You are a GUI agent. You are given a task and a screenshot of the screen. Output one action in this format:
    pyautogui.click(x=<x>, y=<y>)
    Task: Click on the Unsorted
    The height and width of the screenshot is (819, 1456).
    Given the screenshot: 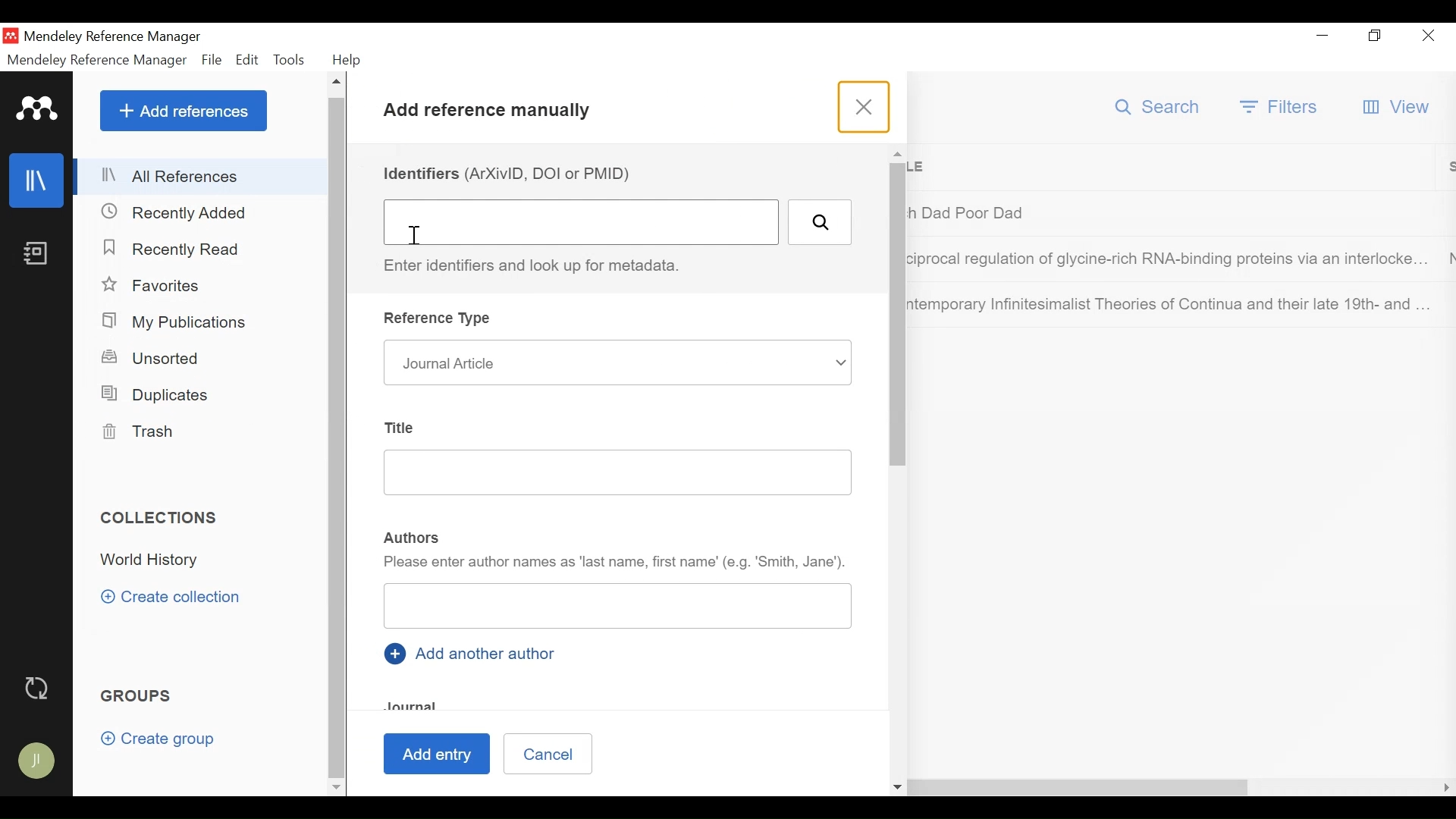 What is the action you would take?
    pyautogui.click(x=162, y=359)
    